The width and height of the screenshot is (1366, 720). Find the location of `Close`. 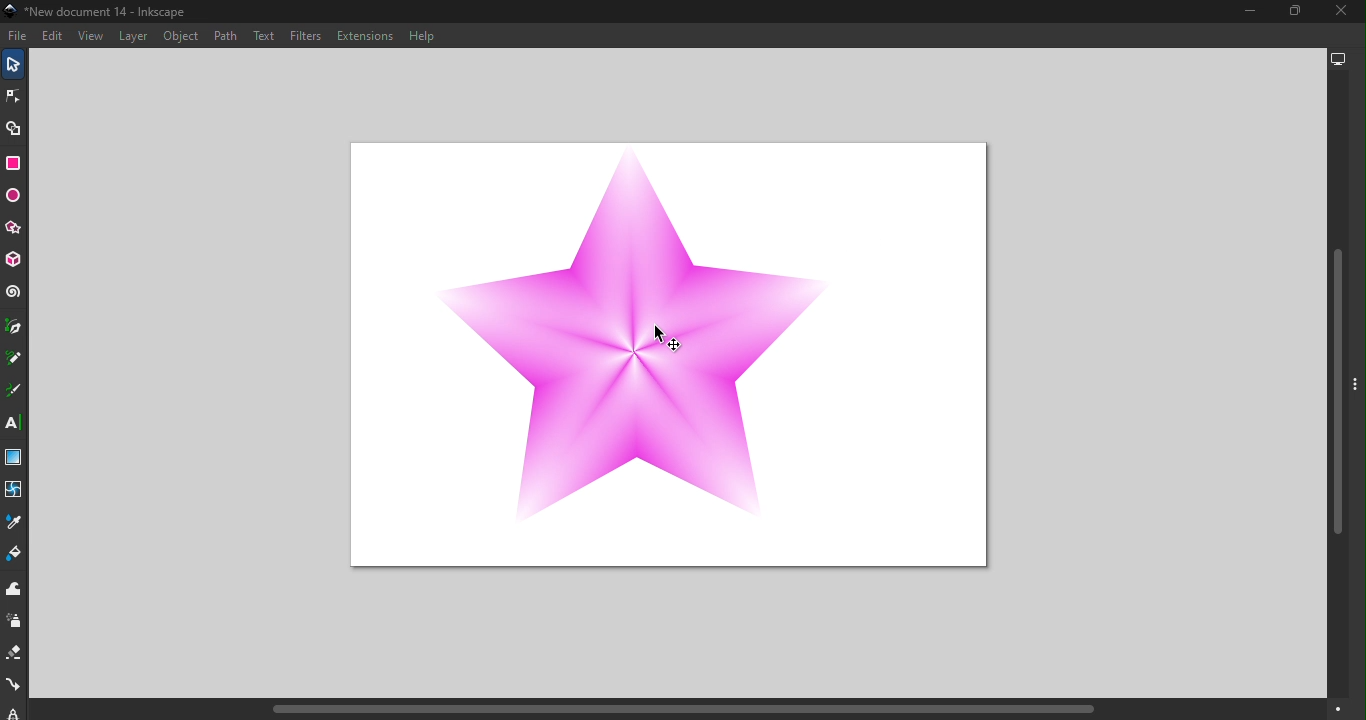

Close is located at coordinates (1344, 11).